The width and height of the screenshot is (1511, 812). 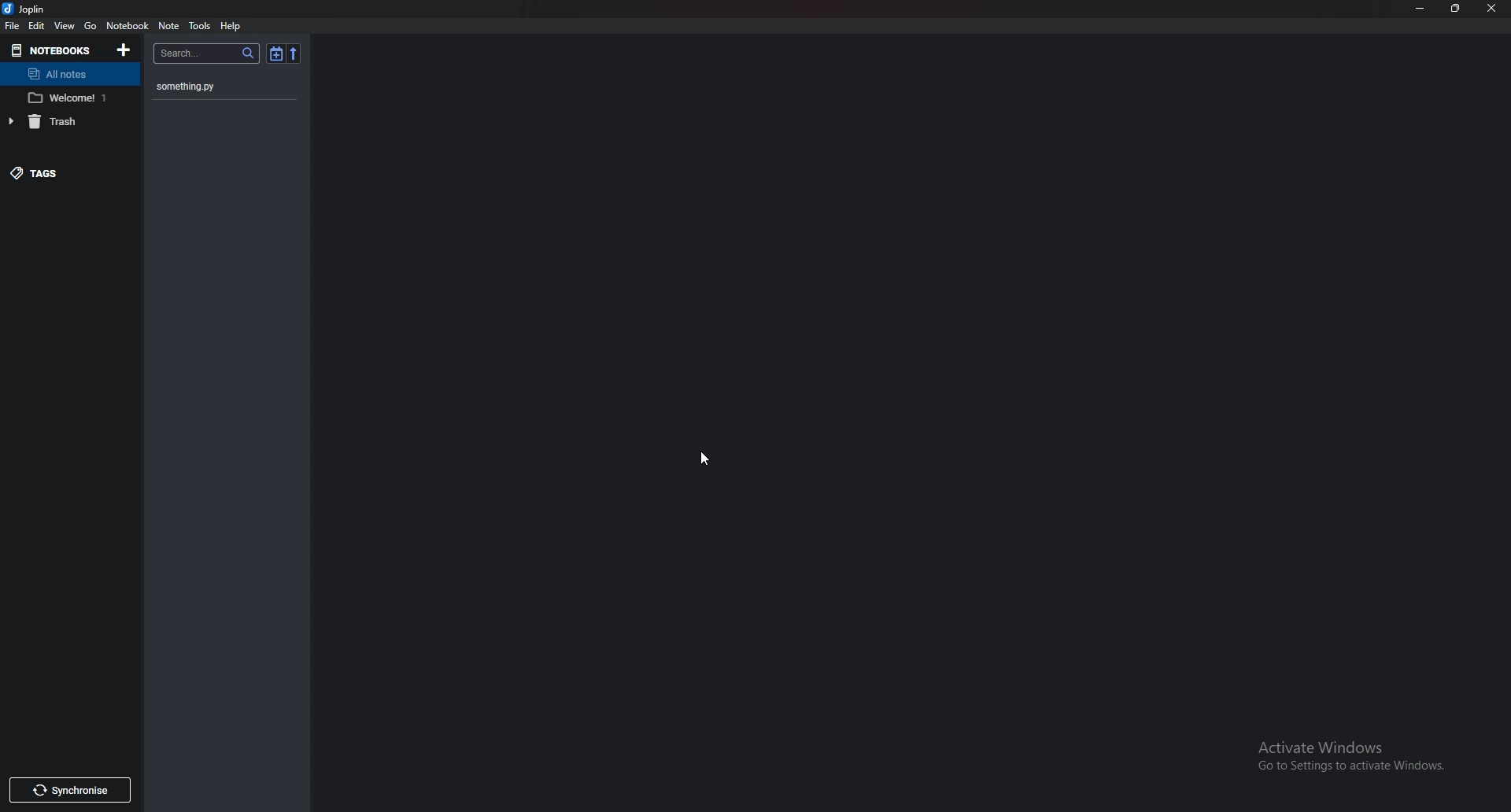 I want to click on edit, so click(x=36, y=27).